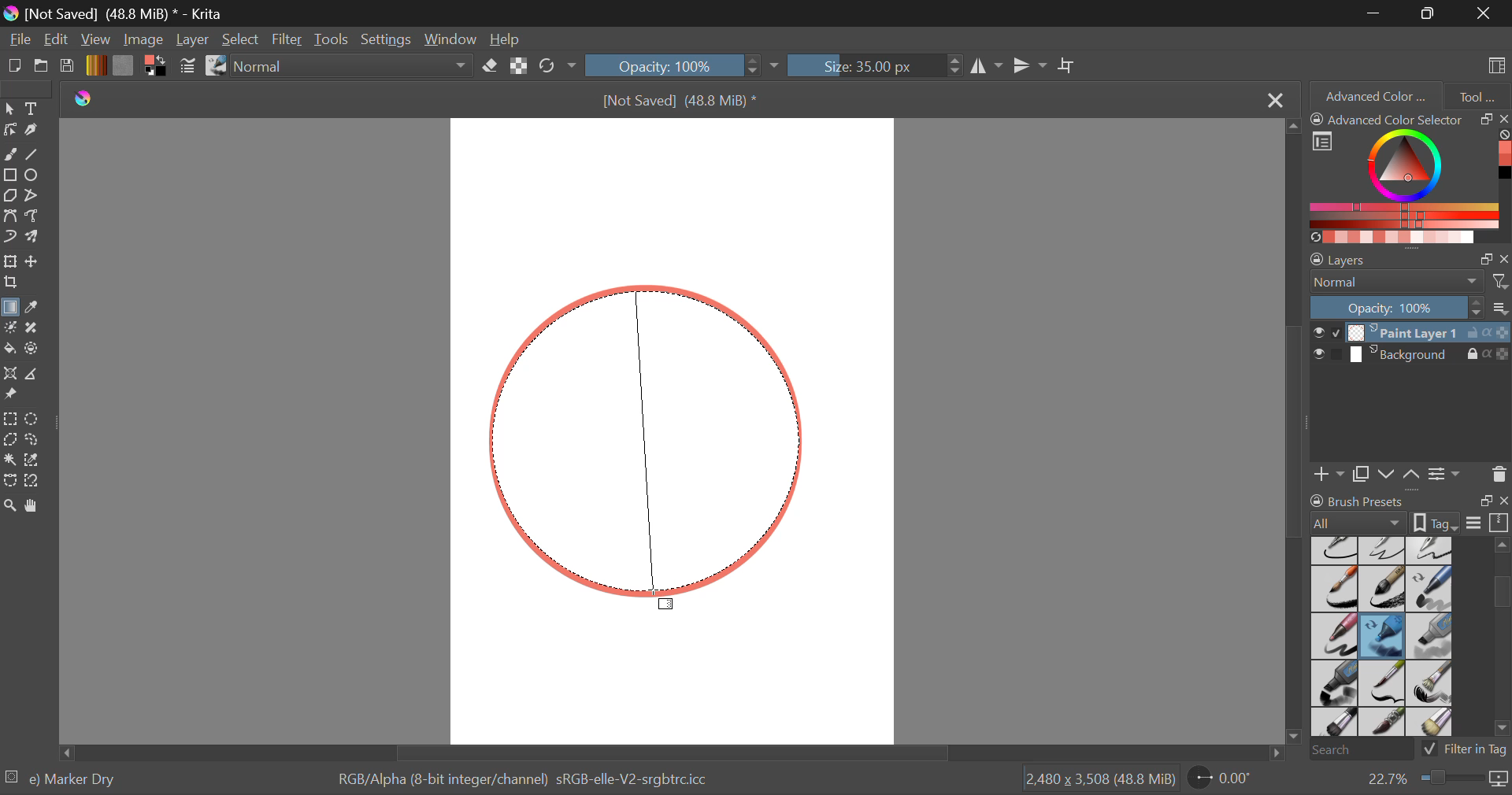 This screenshot has height=795, width=1512. What do you see at coordinates (1430, 549) in the screenshot?
I see `Ink-4 Pen Rough` at bounding box center [1430, 549].